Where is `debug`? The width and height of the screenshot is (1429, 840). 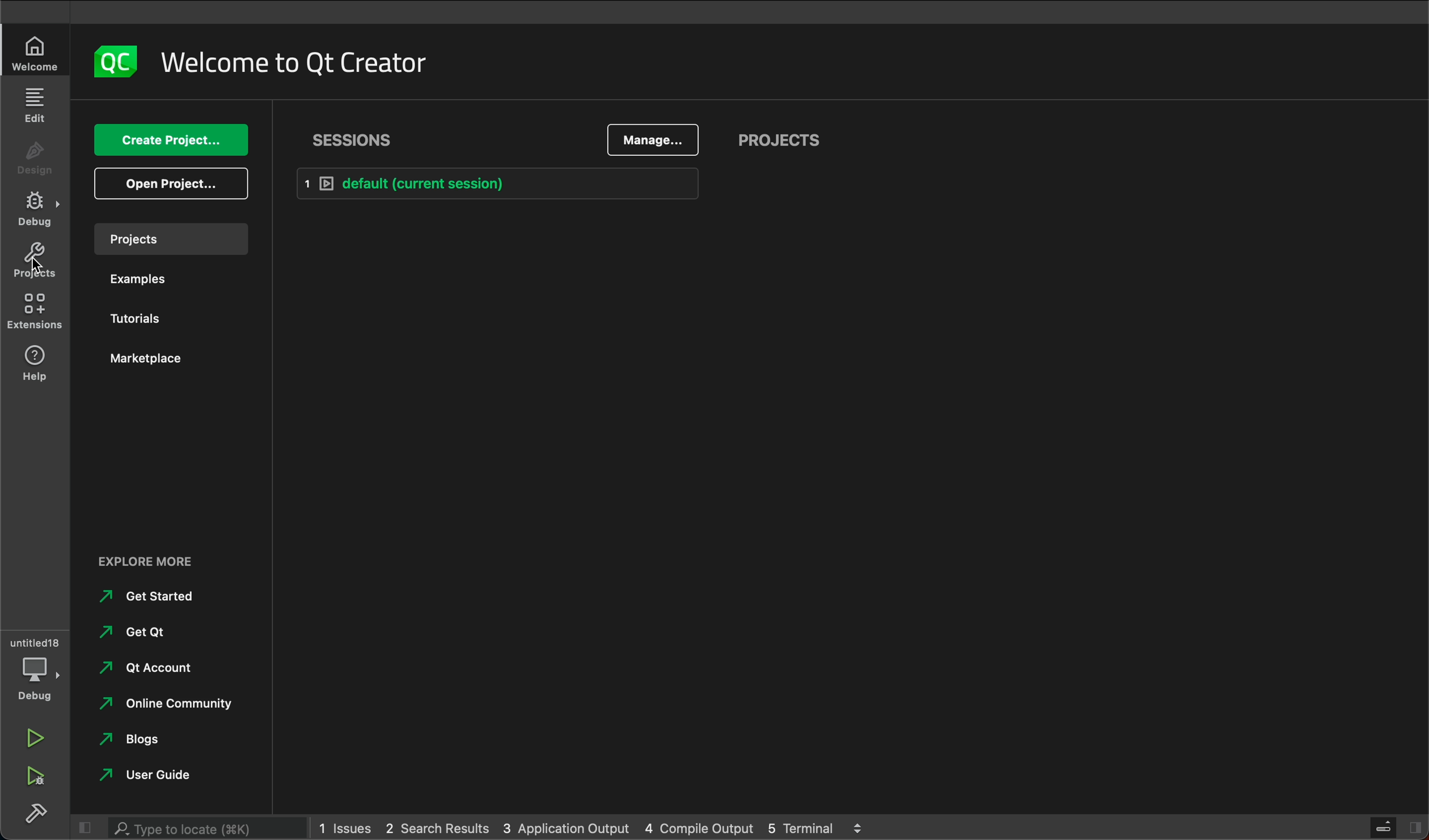 debug is located at coordinates (36, 679).